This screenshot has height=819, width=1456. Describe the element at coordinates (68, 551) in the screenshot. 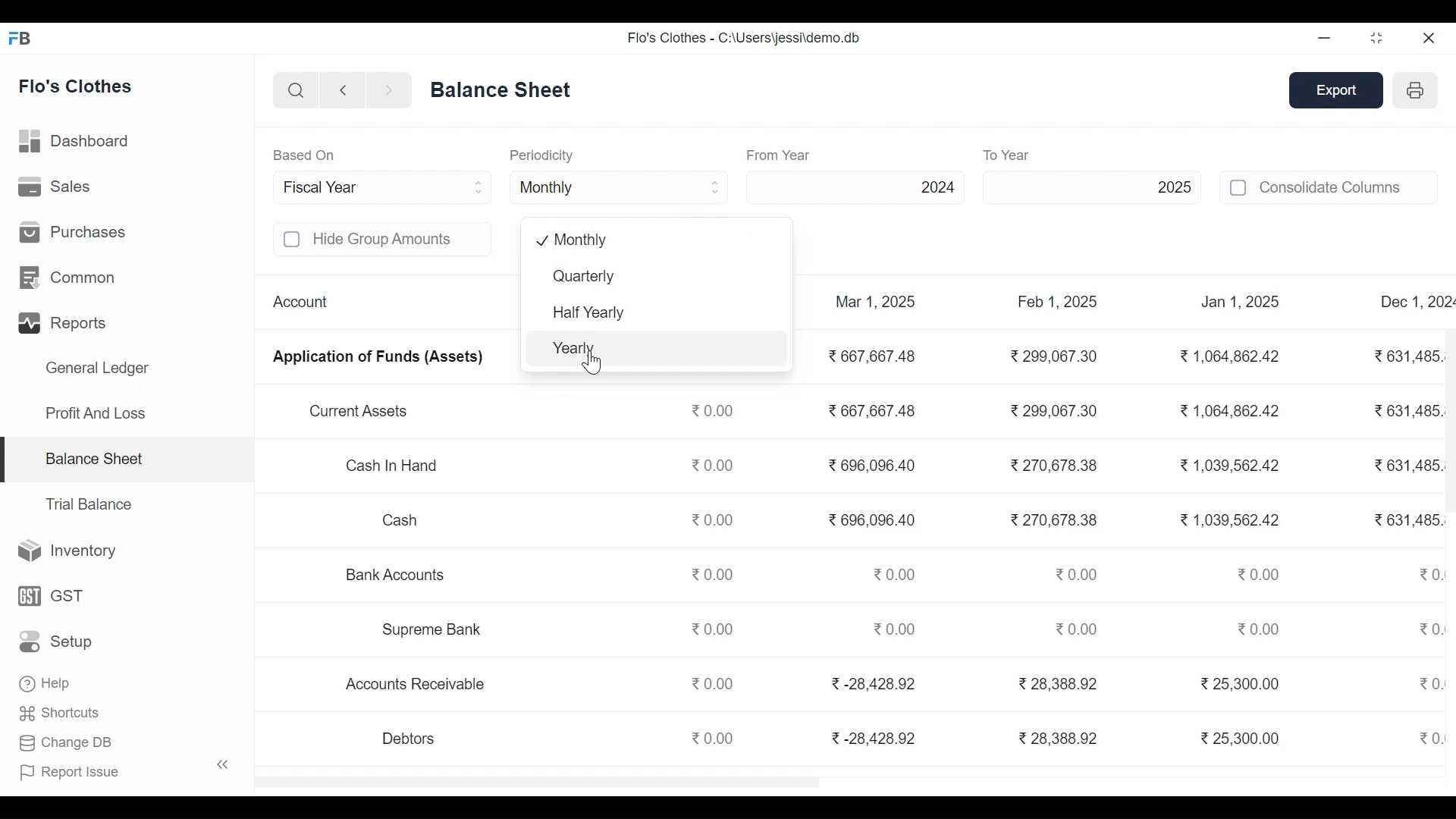

I see `inventory` at that location.